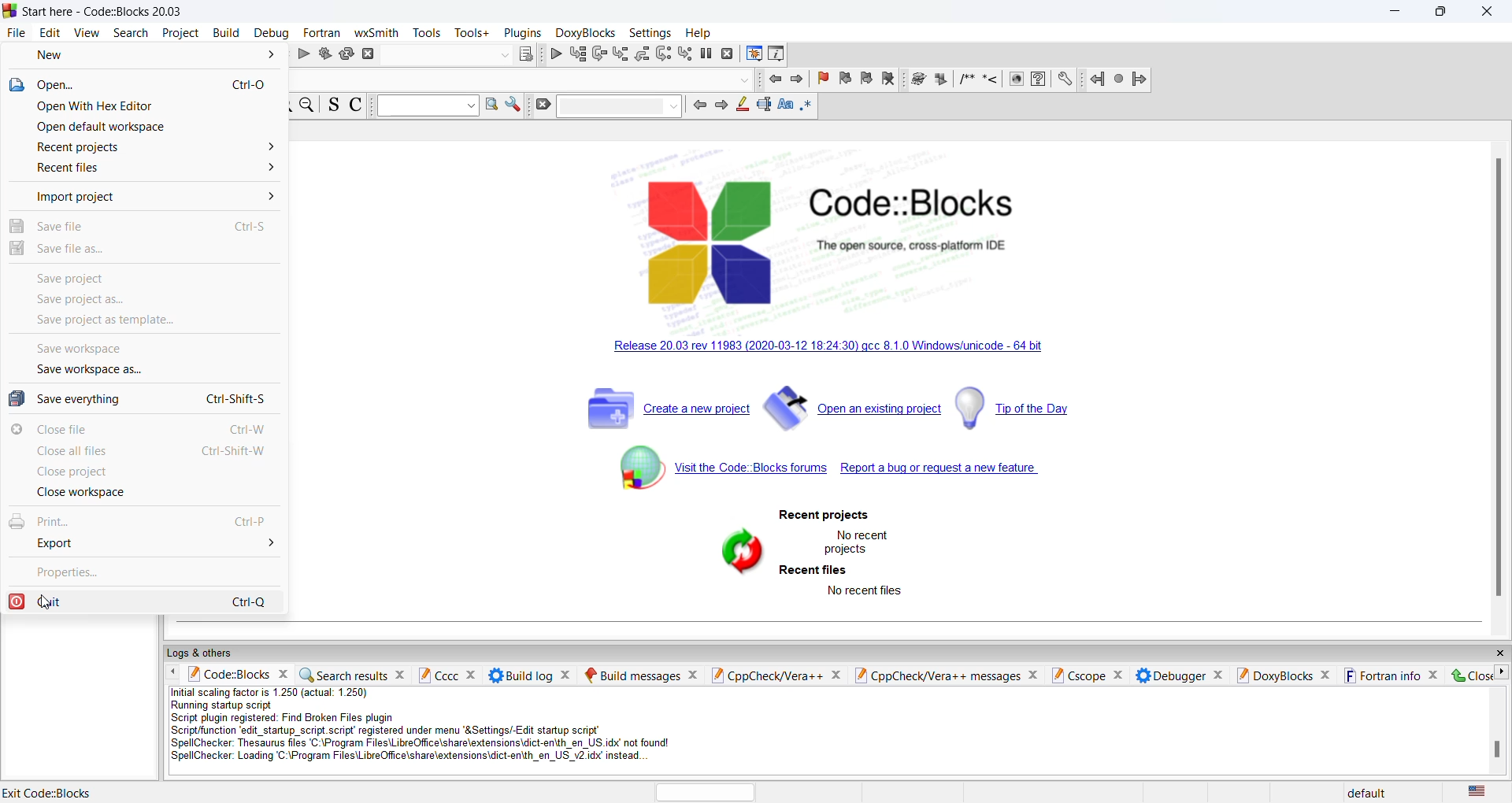  Describe the element at coordinates (943, 80) in the screenshot. I see `icon` at that location.